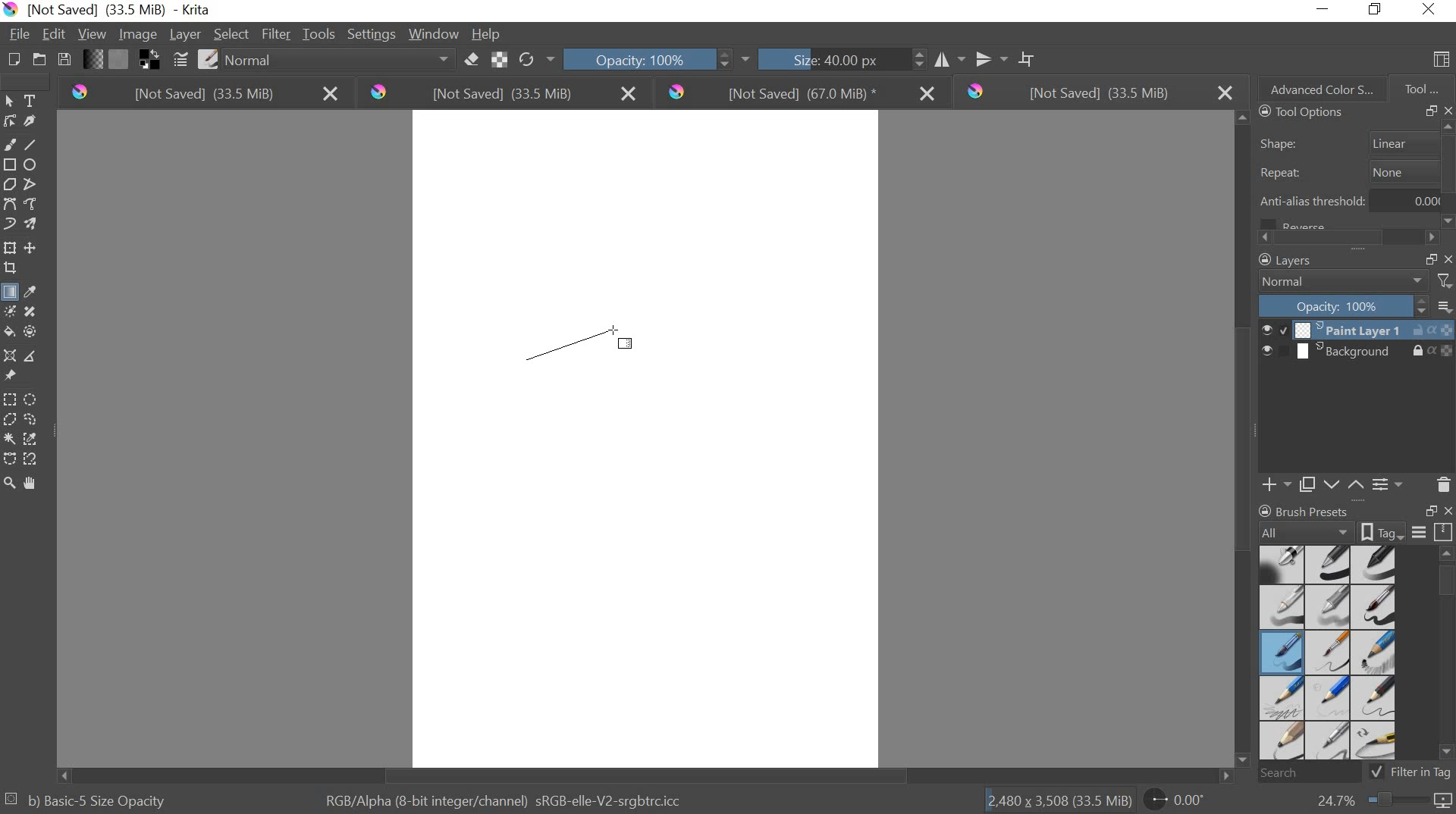 The height and width of the screenshot is (814, 1456). I want to click on BACKGROUND, so click(1357, 353).